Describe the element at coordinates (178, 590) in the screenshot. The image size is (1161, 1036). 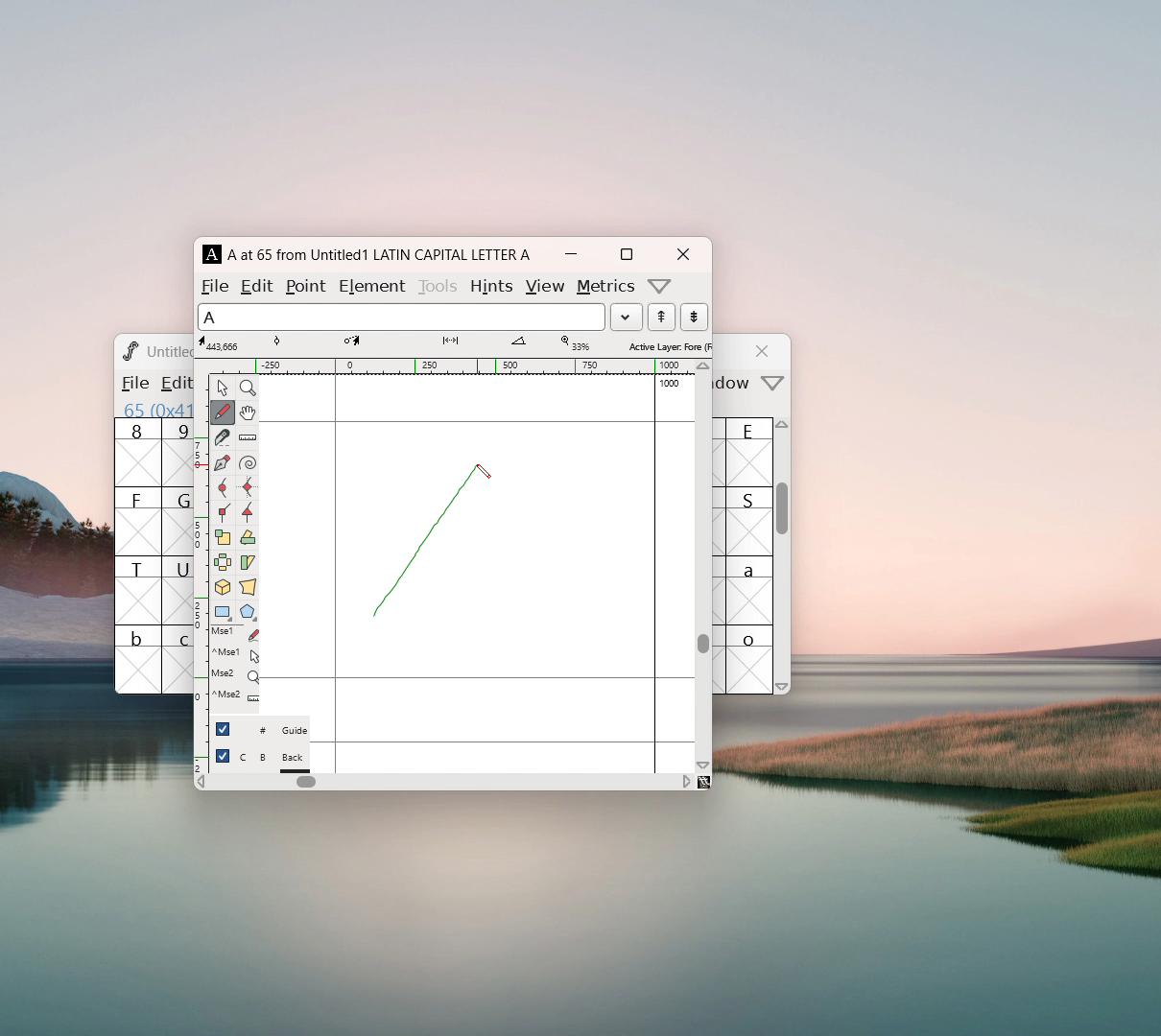
I see `U` at that location.